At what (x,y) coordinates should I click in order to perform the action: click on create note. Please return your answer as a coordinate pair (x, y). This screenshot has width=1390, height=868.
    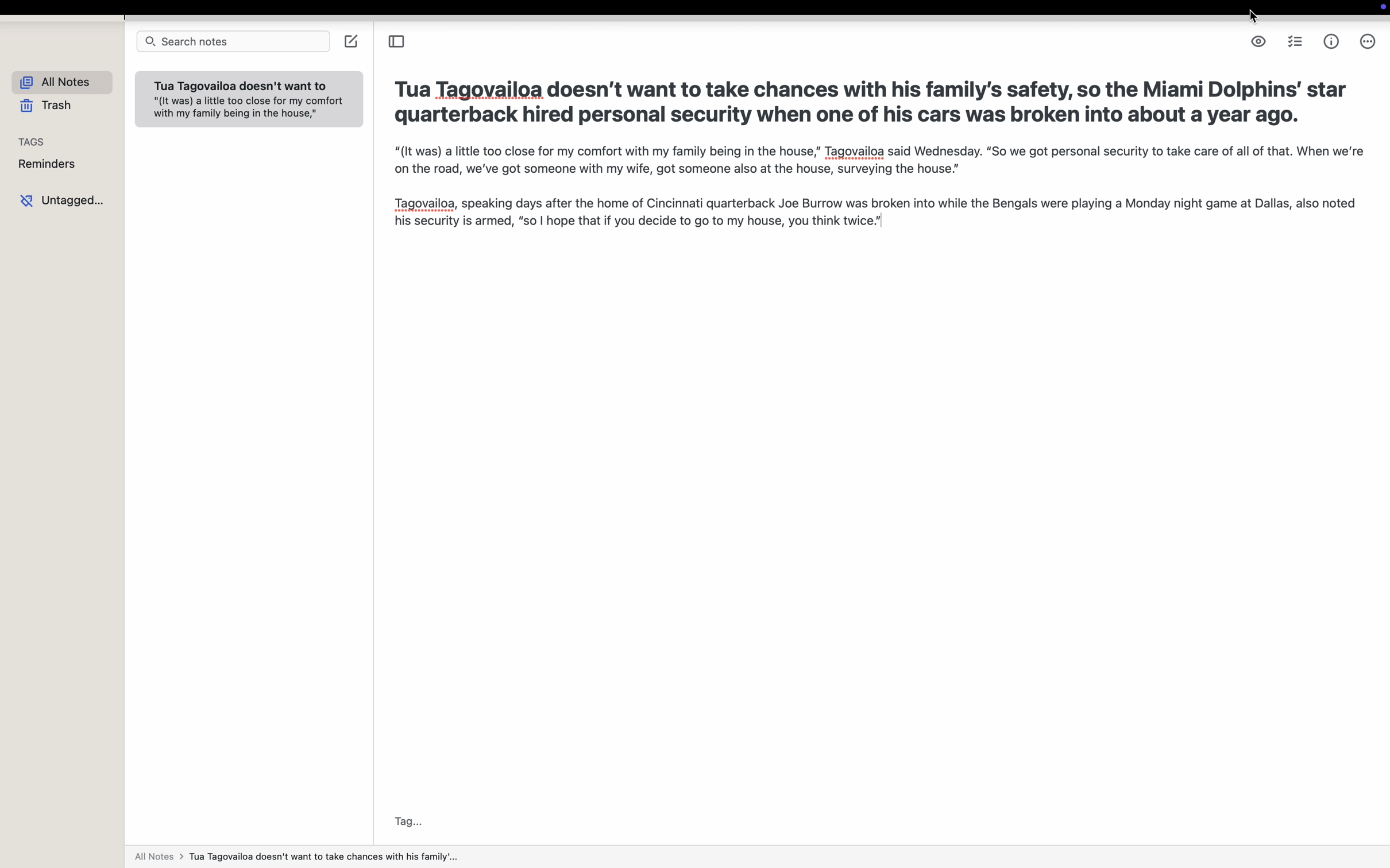
    Looking at the image, I should click on (352, 41).